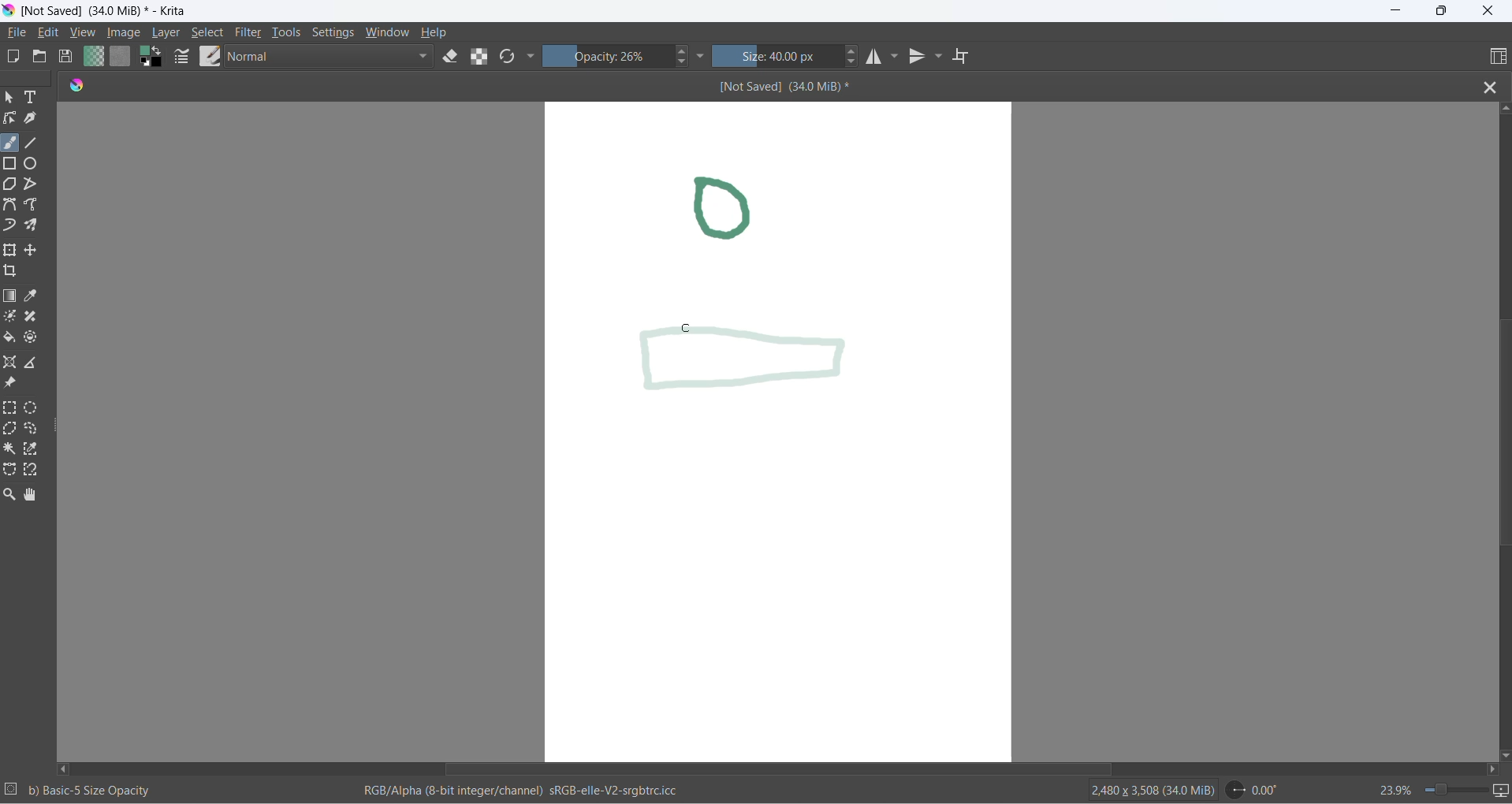  I want to click on pan tool, so click(32, 492).